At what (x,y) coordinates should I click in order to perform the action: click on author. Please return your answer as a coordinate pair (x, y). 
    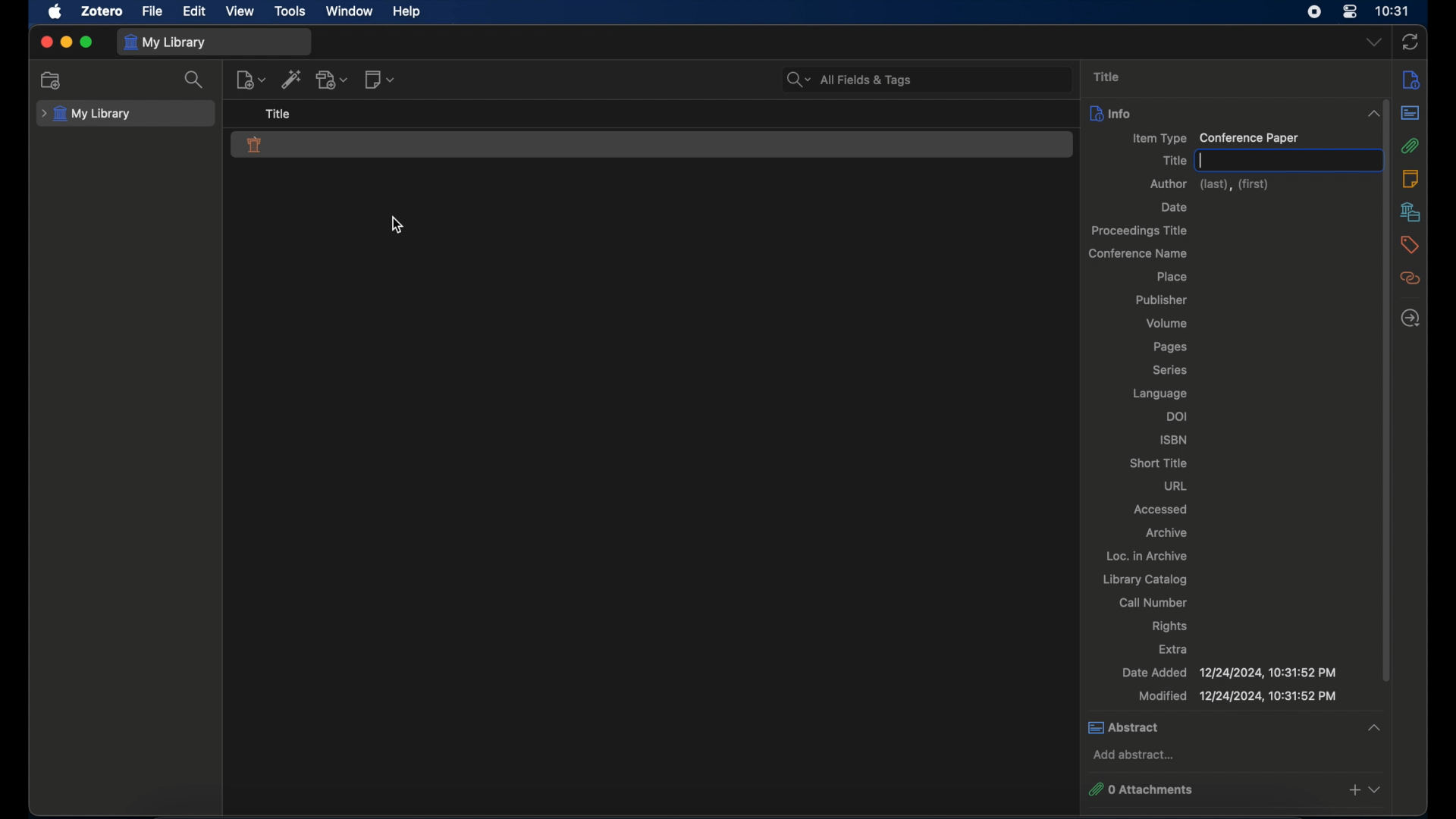
    Looking at the image, I should click on (1210, 184).